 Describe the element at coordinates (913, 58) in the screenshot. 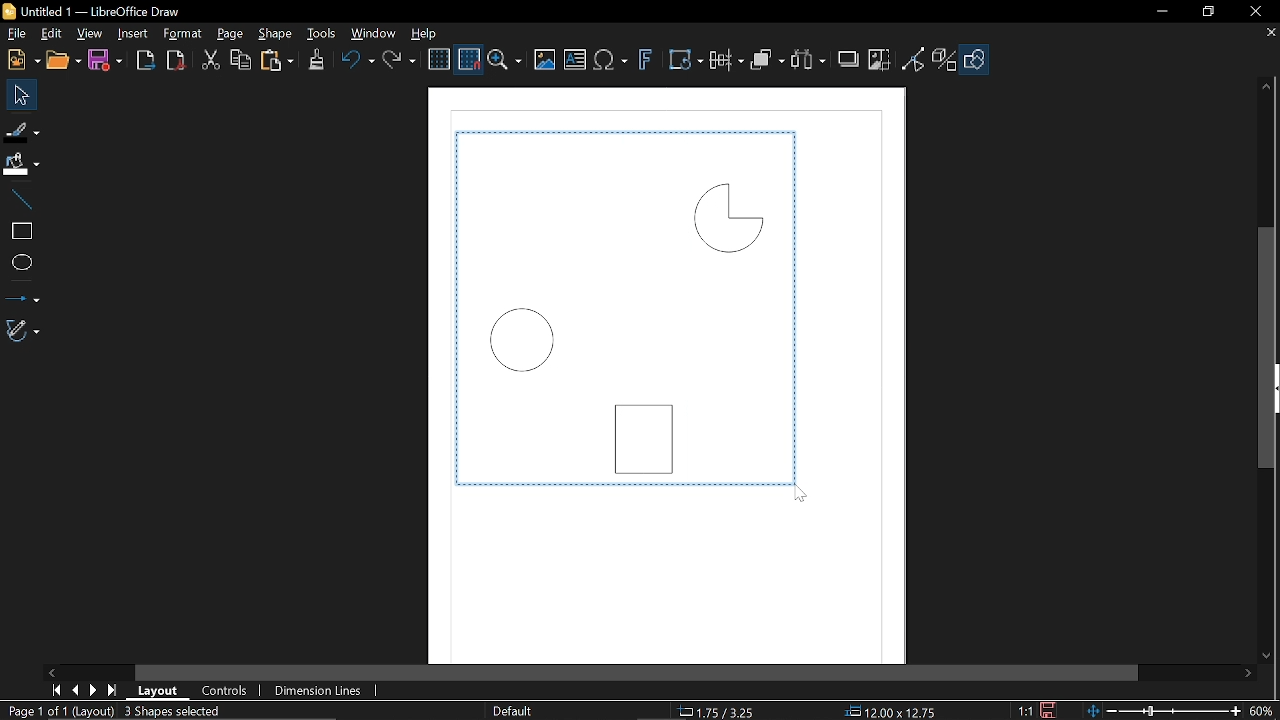

I see `Toggle view` at that location.